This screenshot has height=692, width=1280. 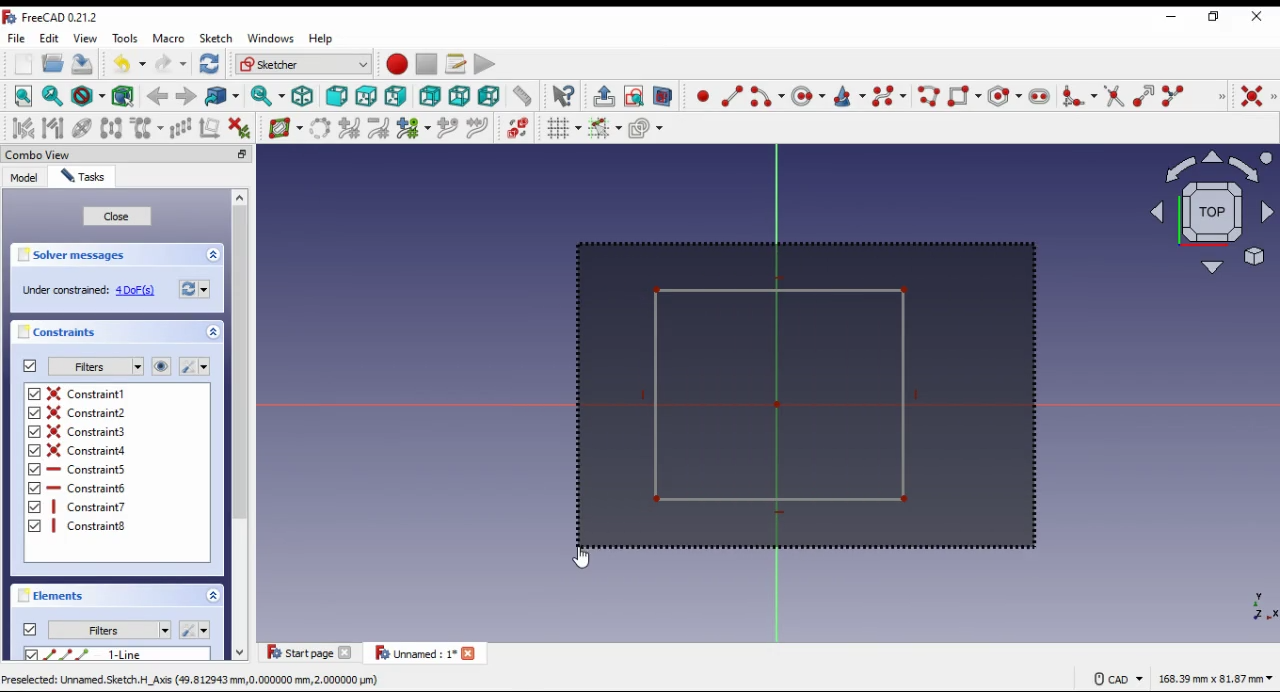 What do you see at coordinates (159, 98) in the screenshot?
I see `back` at bounding box center [159, 98].